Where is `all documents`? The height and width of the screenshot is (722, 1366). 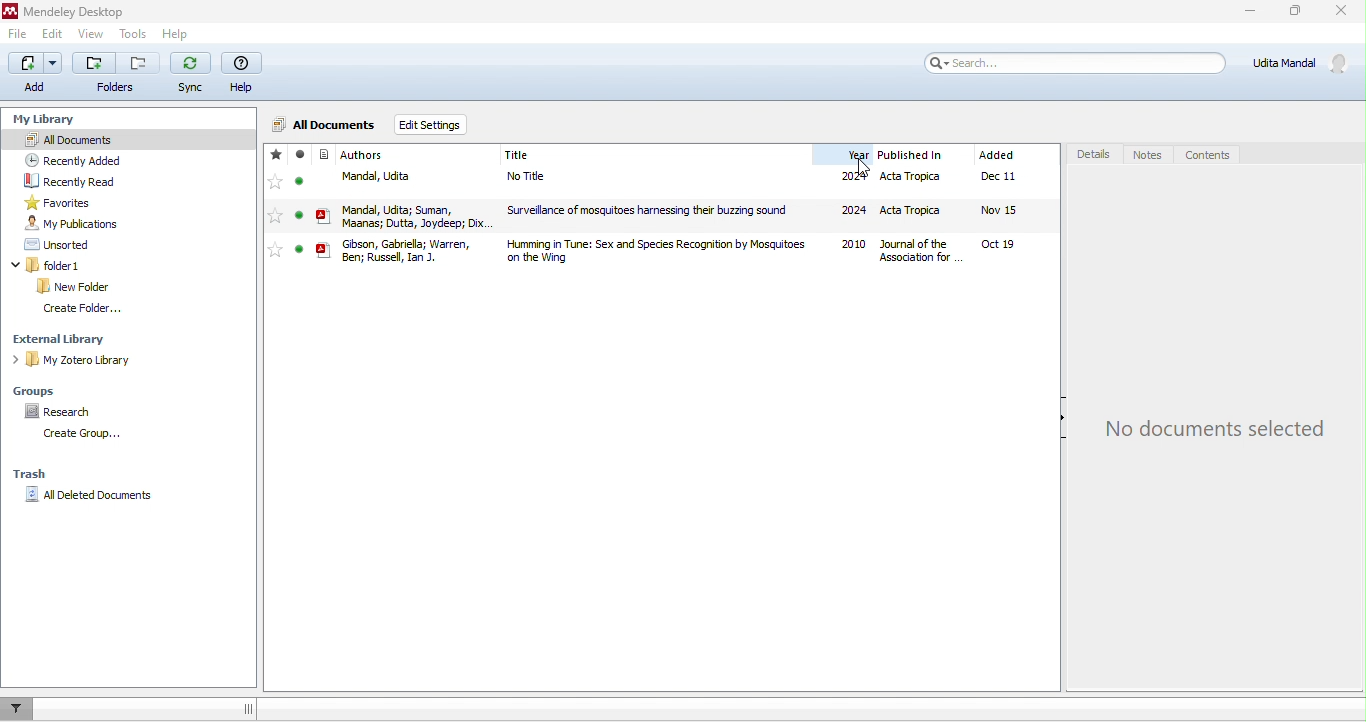
all documents is located at coordinates (67, 138).